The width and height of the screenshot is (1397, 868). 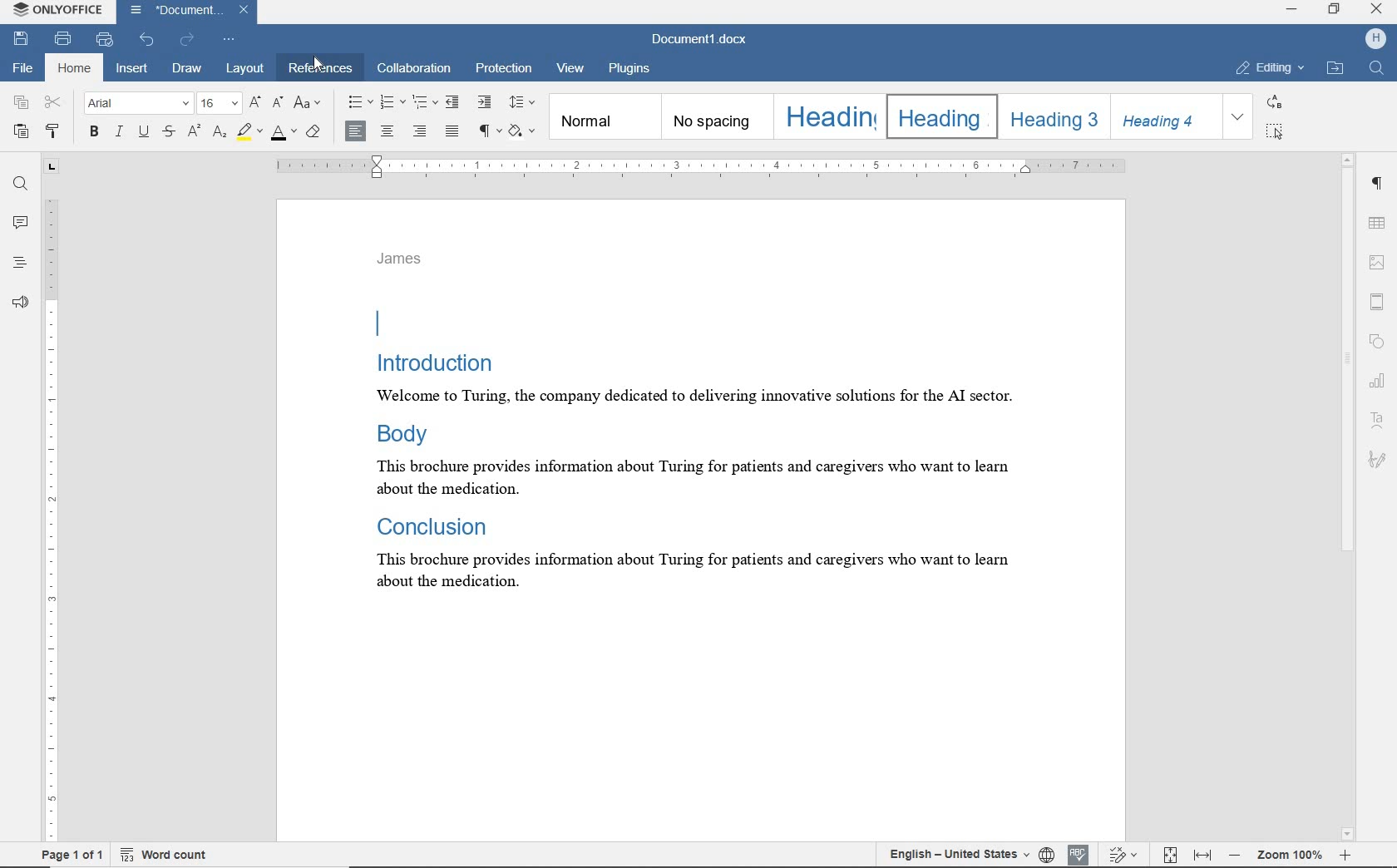 What do you see at coordinates (51, 496) in the screenshot?
I see `ruler` at bounding box center [51, 496].